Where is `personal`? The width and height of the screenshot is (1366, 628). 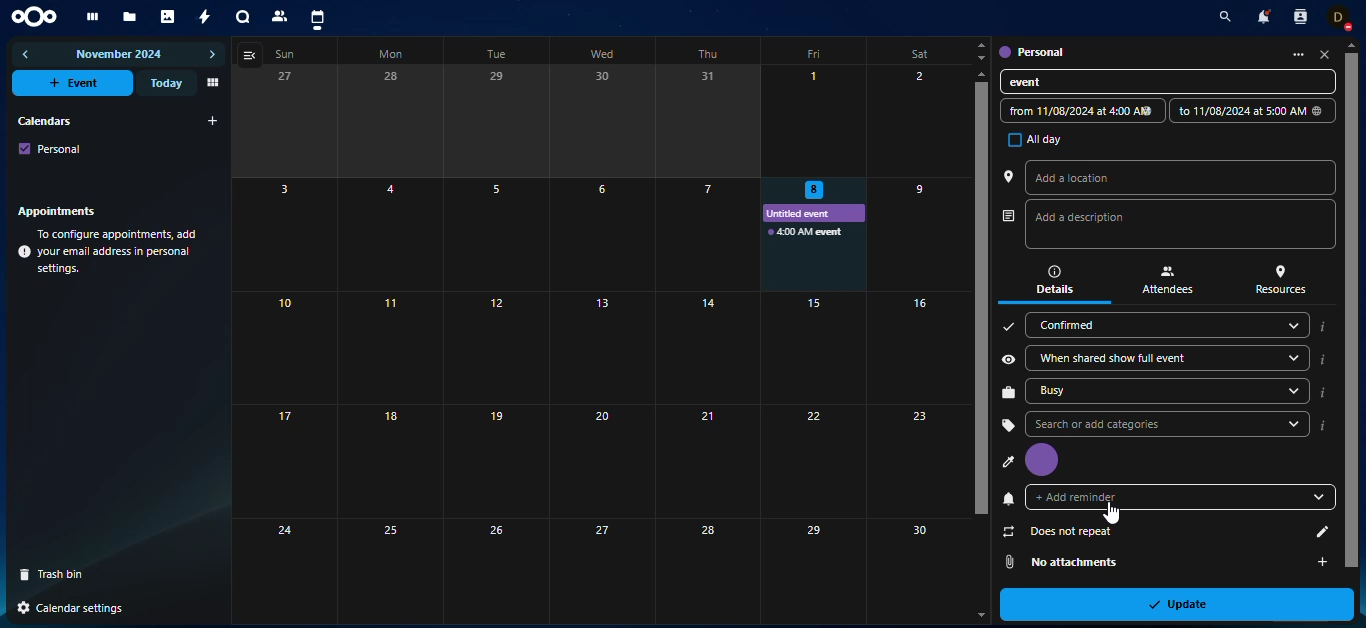 personal is located at coordinates (1031, 50).